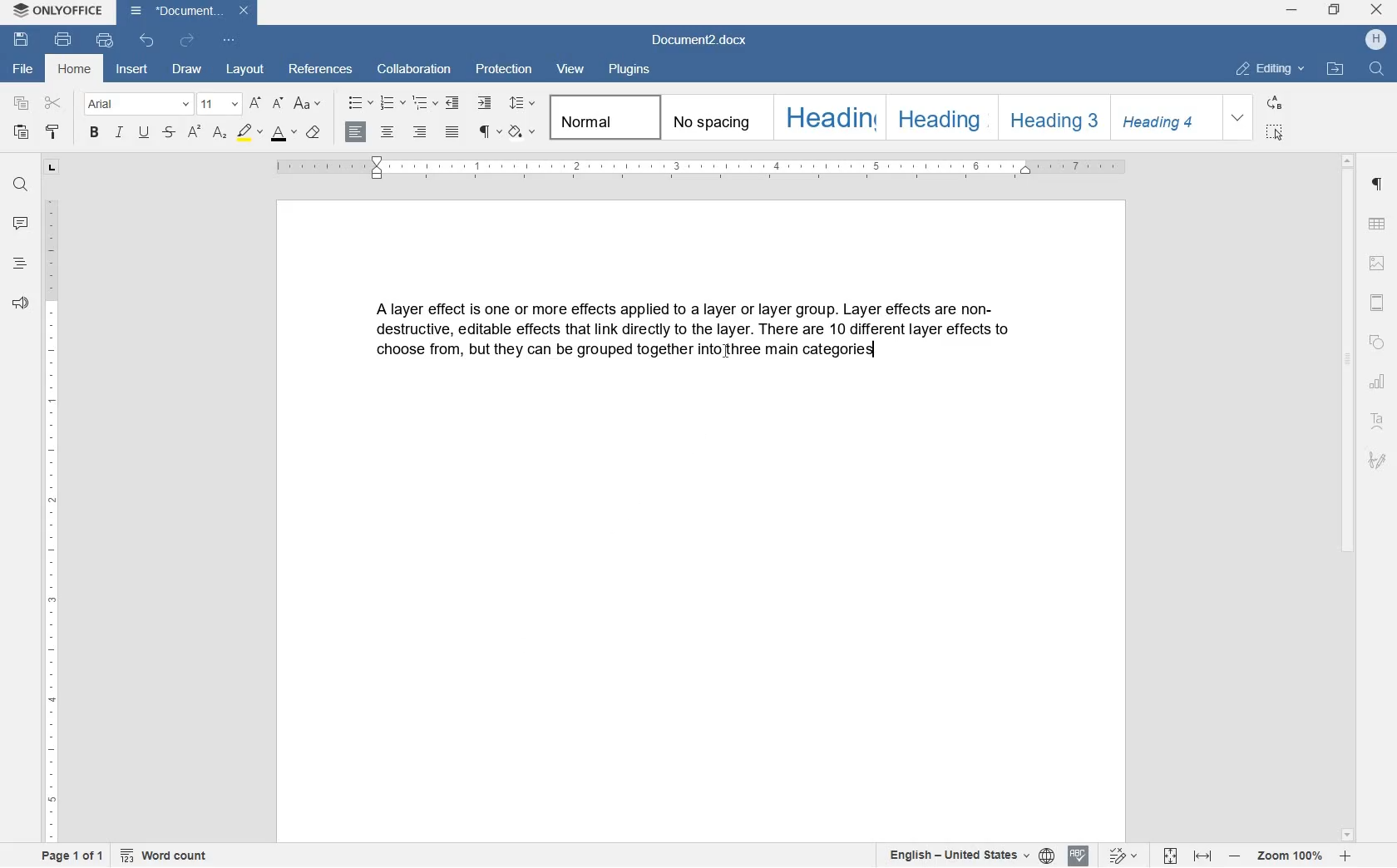  I want to click on protection, so click(506, 71).